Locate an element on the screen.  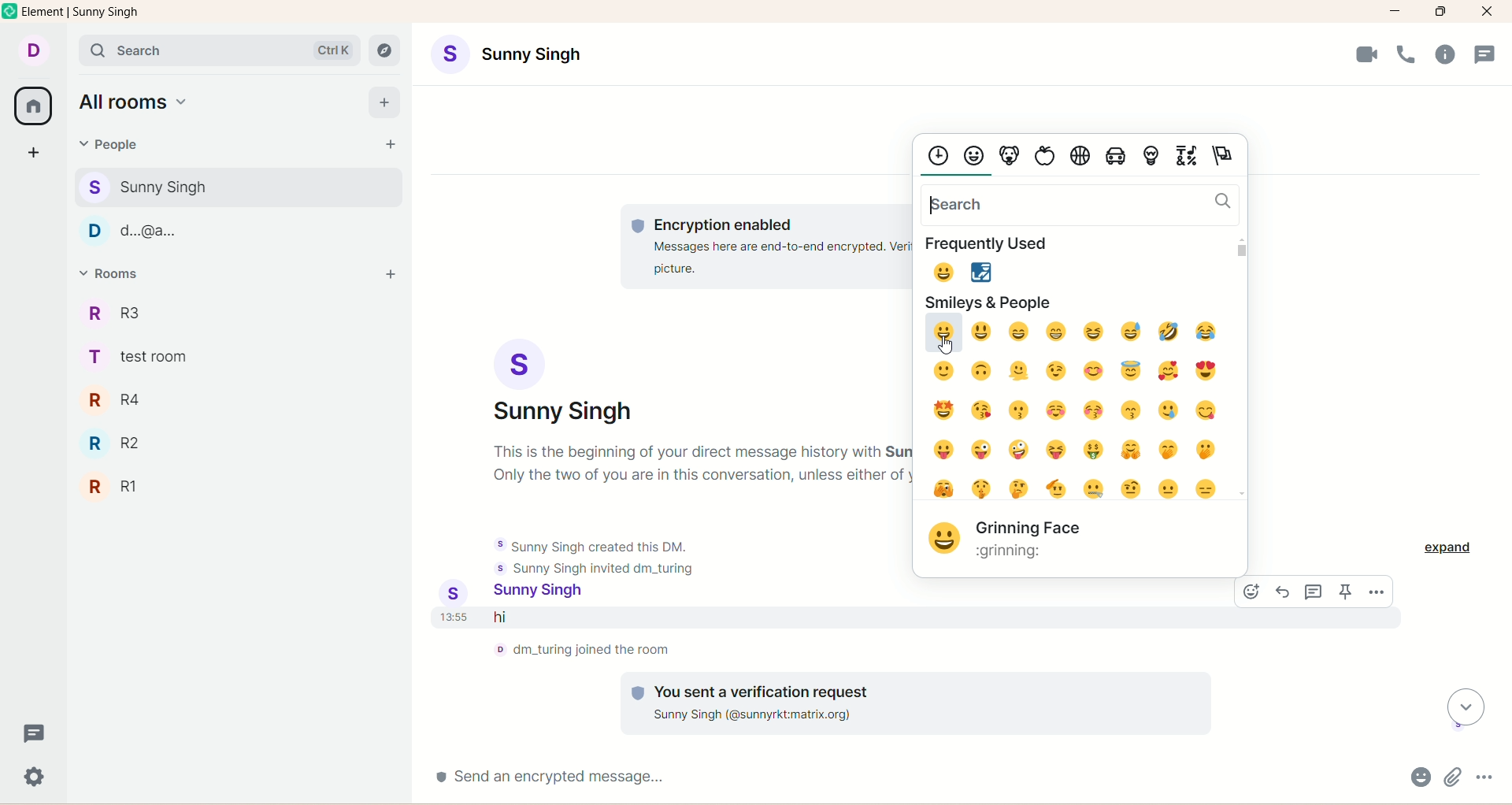
Face with tongue is located at coordinates (943, 450).